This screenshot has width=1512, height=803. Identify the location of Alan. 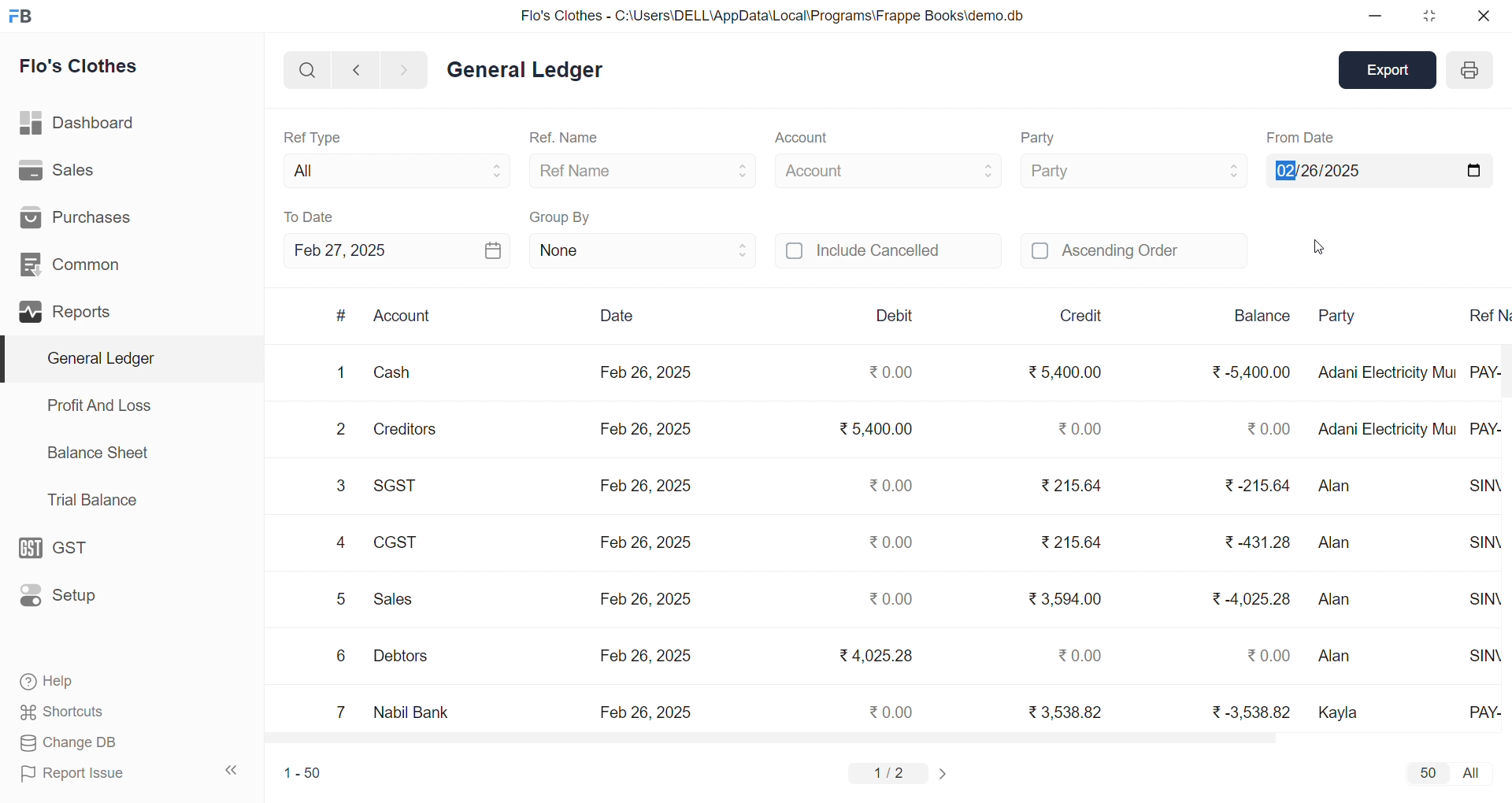
(1342, 543).